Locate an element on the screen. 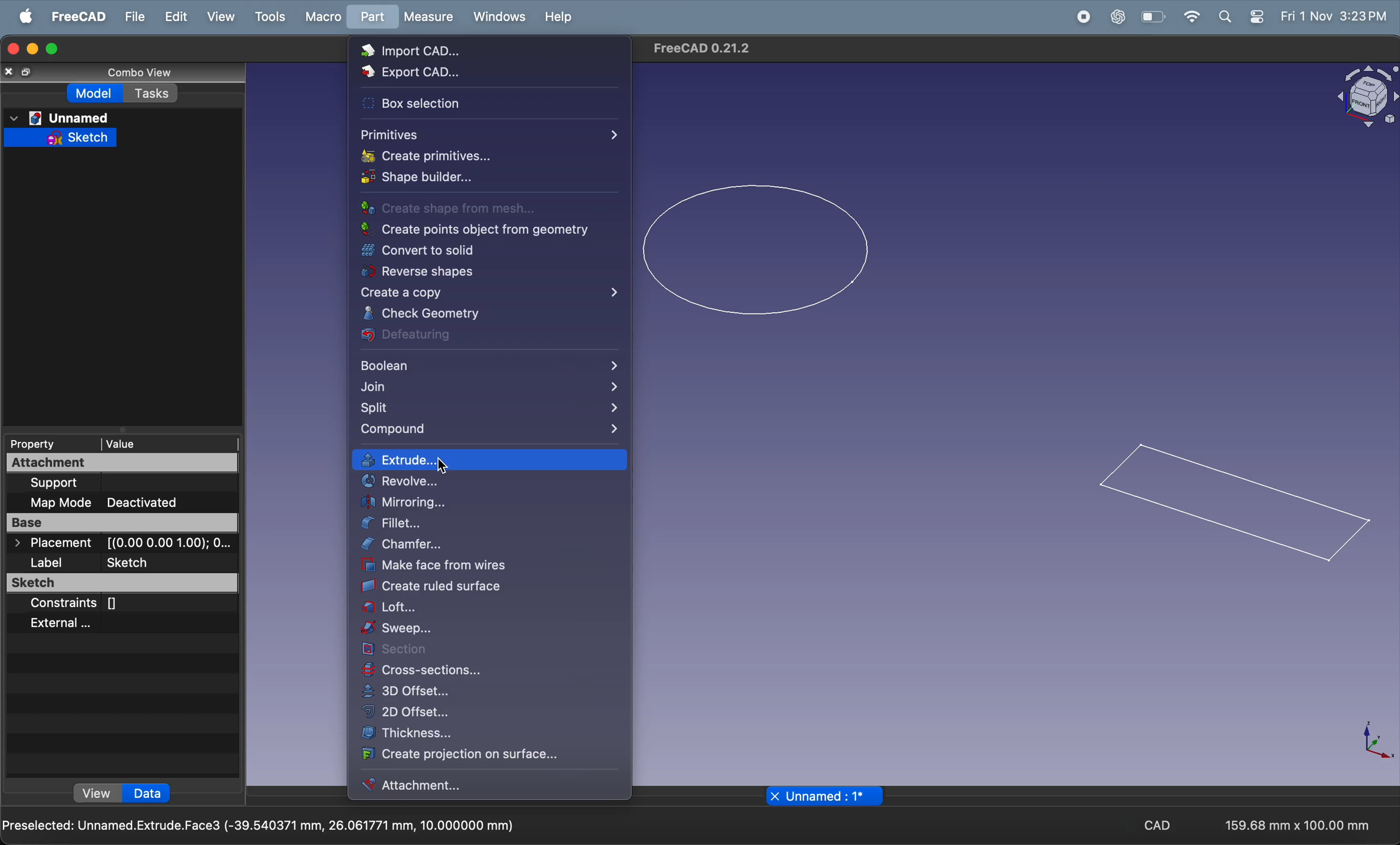 This screenshot has height=845, width=1400. axis is located at coordinates (1373, 741).